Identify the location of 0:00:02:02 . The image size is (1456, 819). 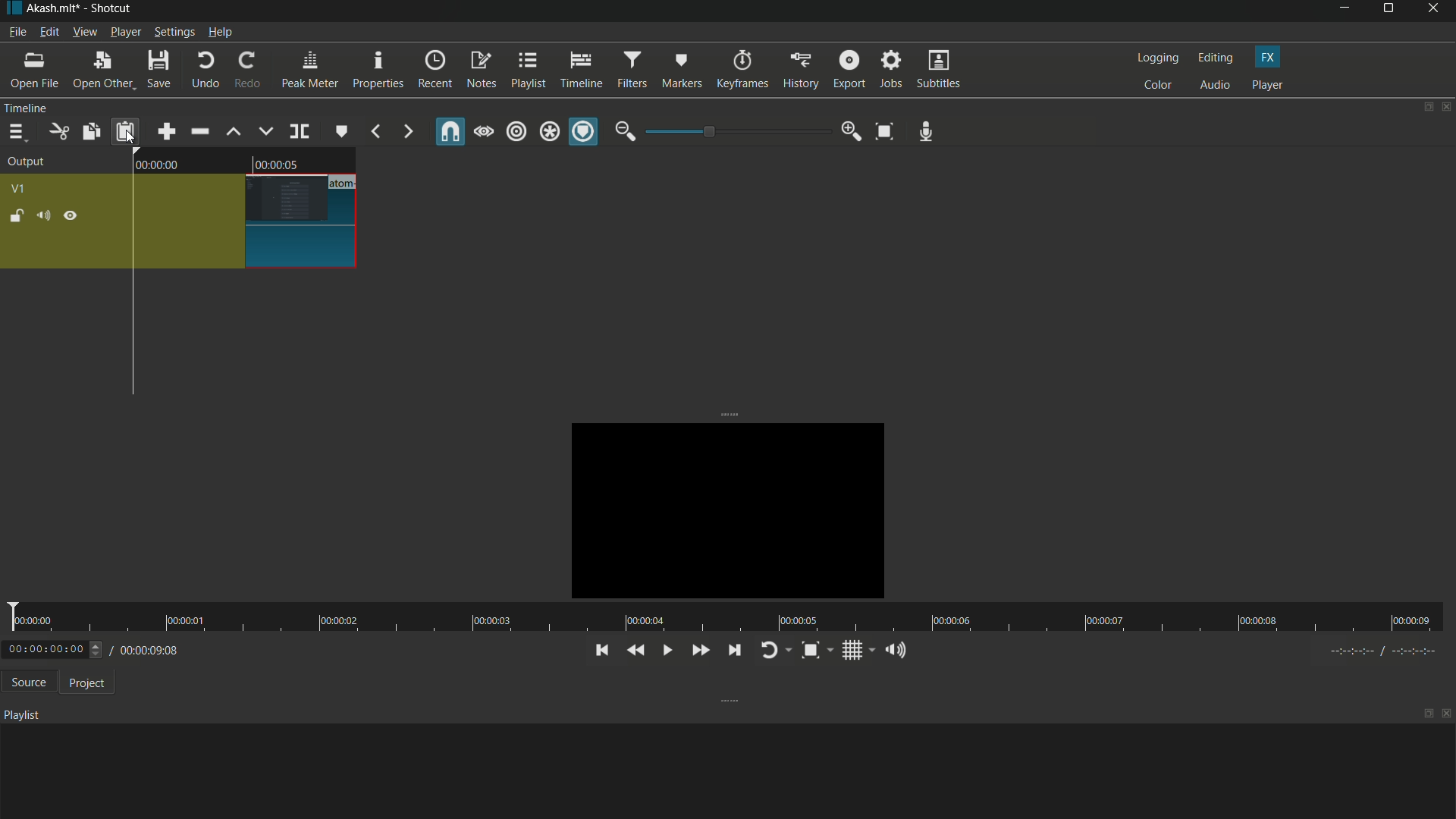
(54, 649).